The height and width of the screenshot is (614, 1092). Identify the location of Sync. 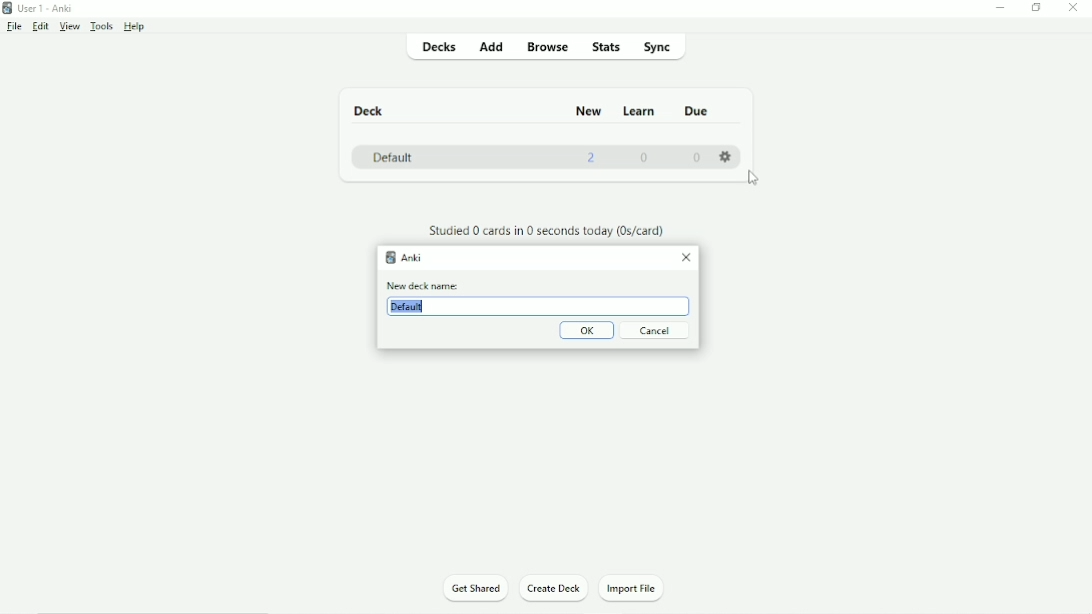
(657, 46).